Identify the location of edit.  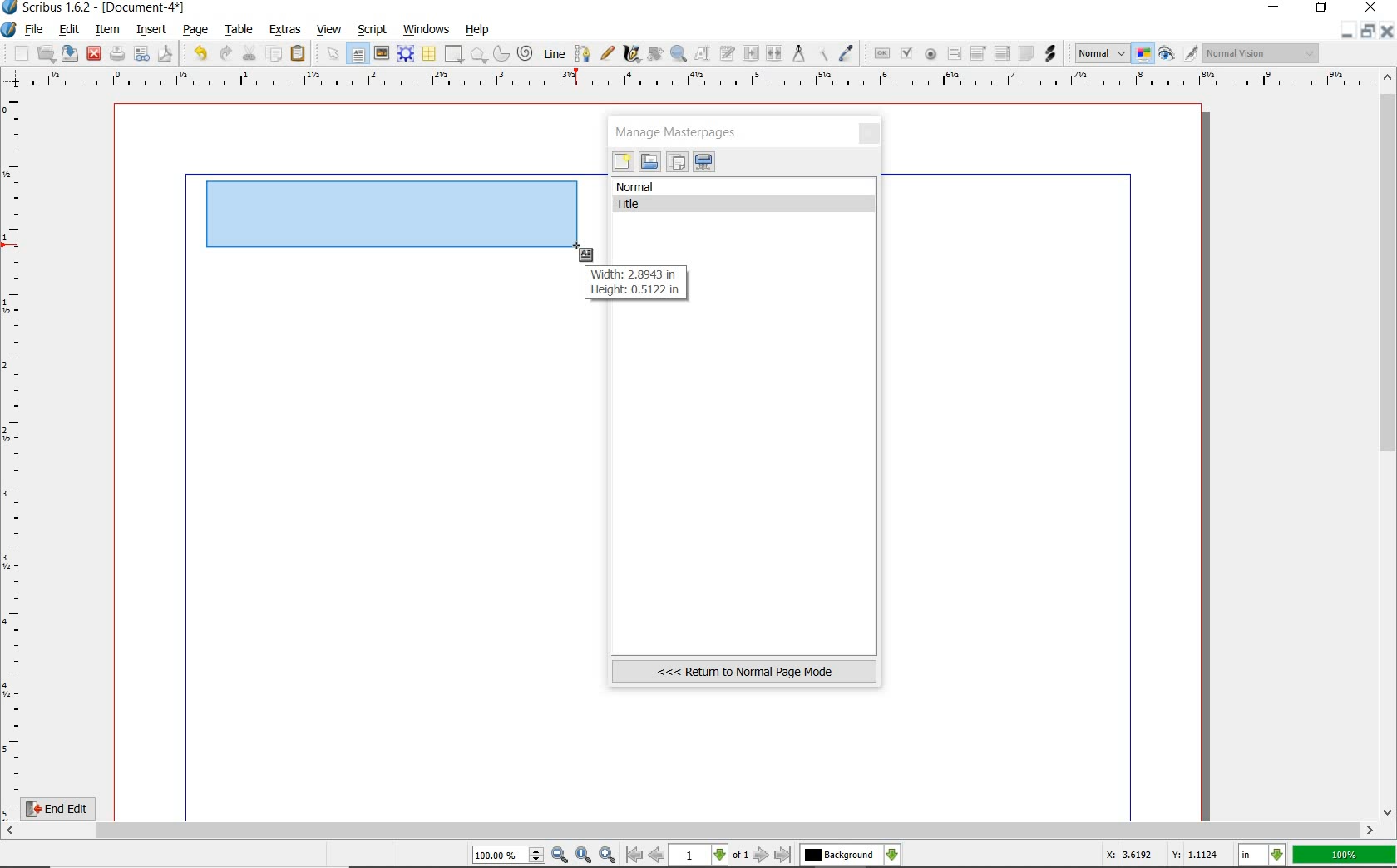
(67, 31).